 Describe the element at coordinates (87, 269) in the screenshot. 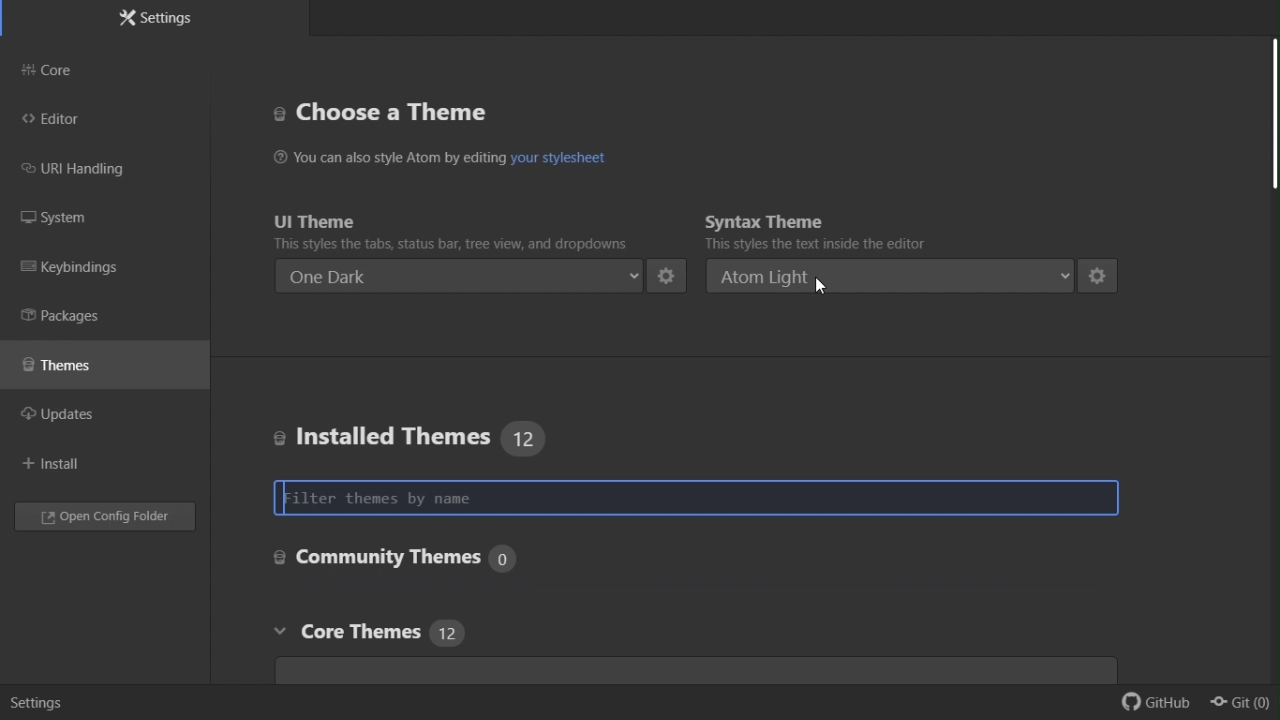

I see `Key binding` at that location.